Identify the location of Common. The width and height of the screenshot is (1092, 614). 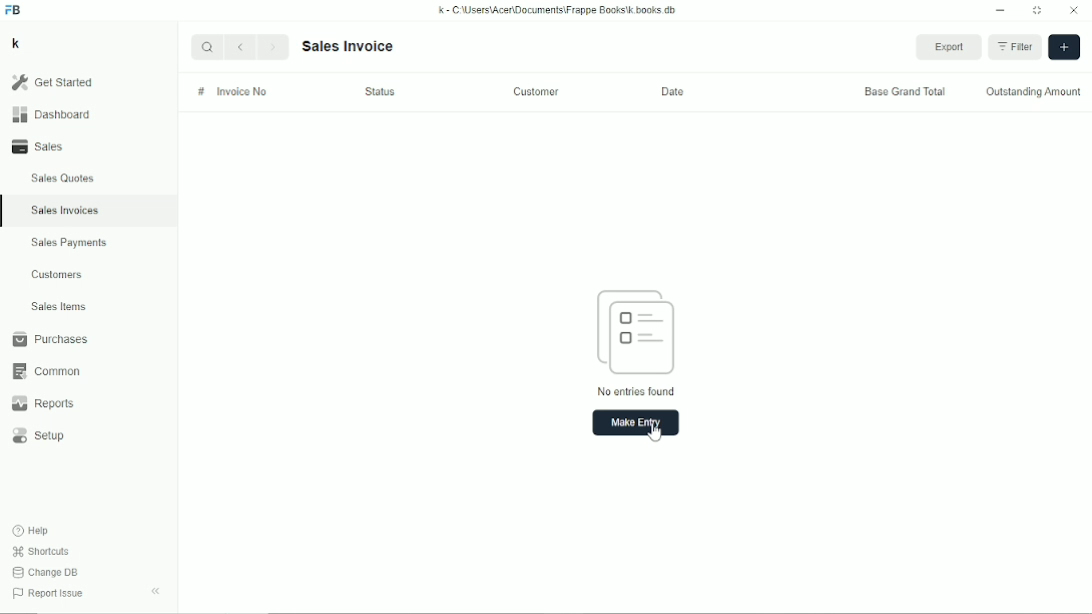
(44, 371).